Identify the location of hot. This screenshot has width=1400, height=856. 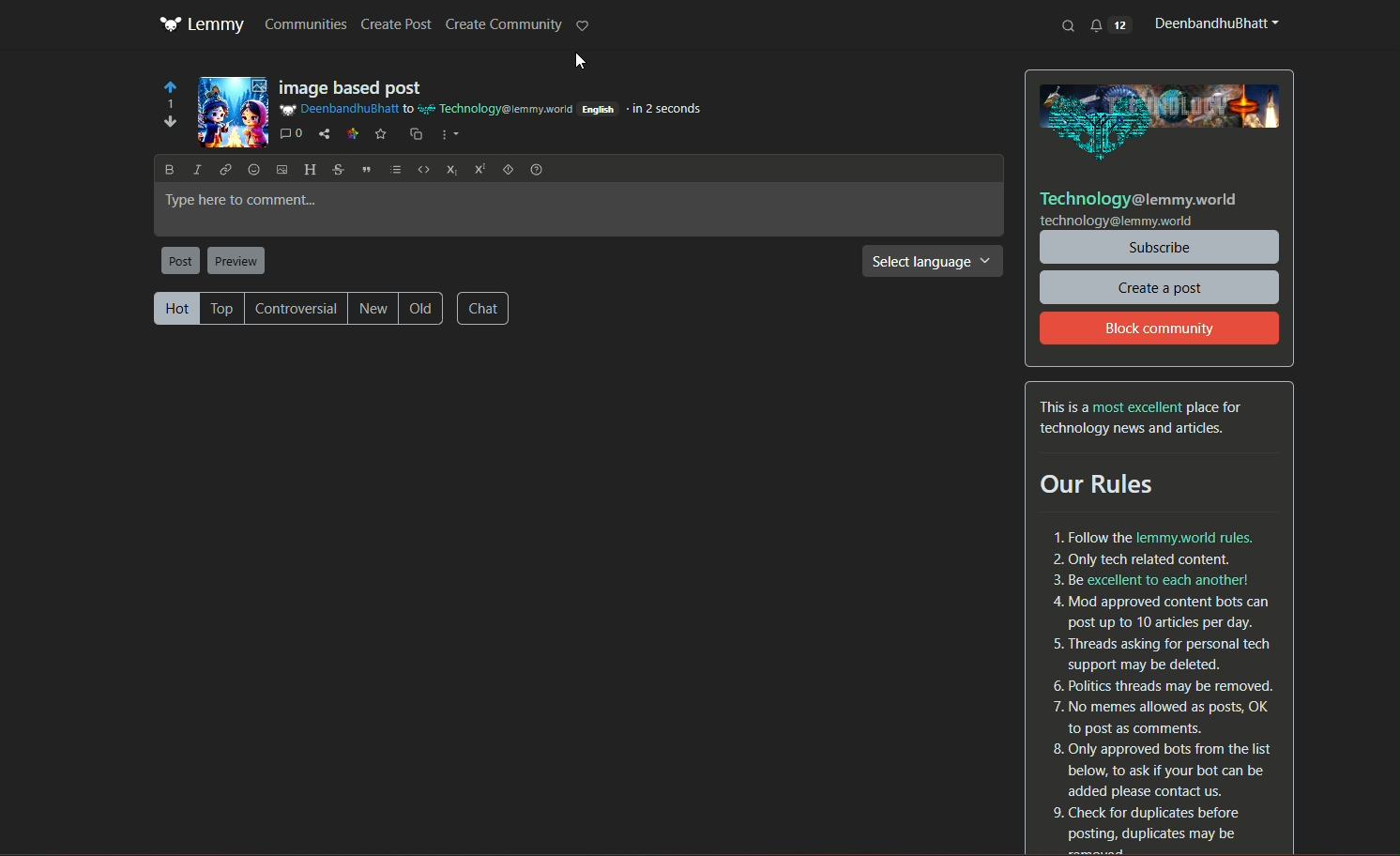
(175, 308).